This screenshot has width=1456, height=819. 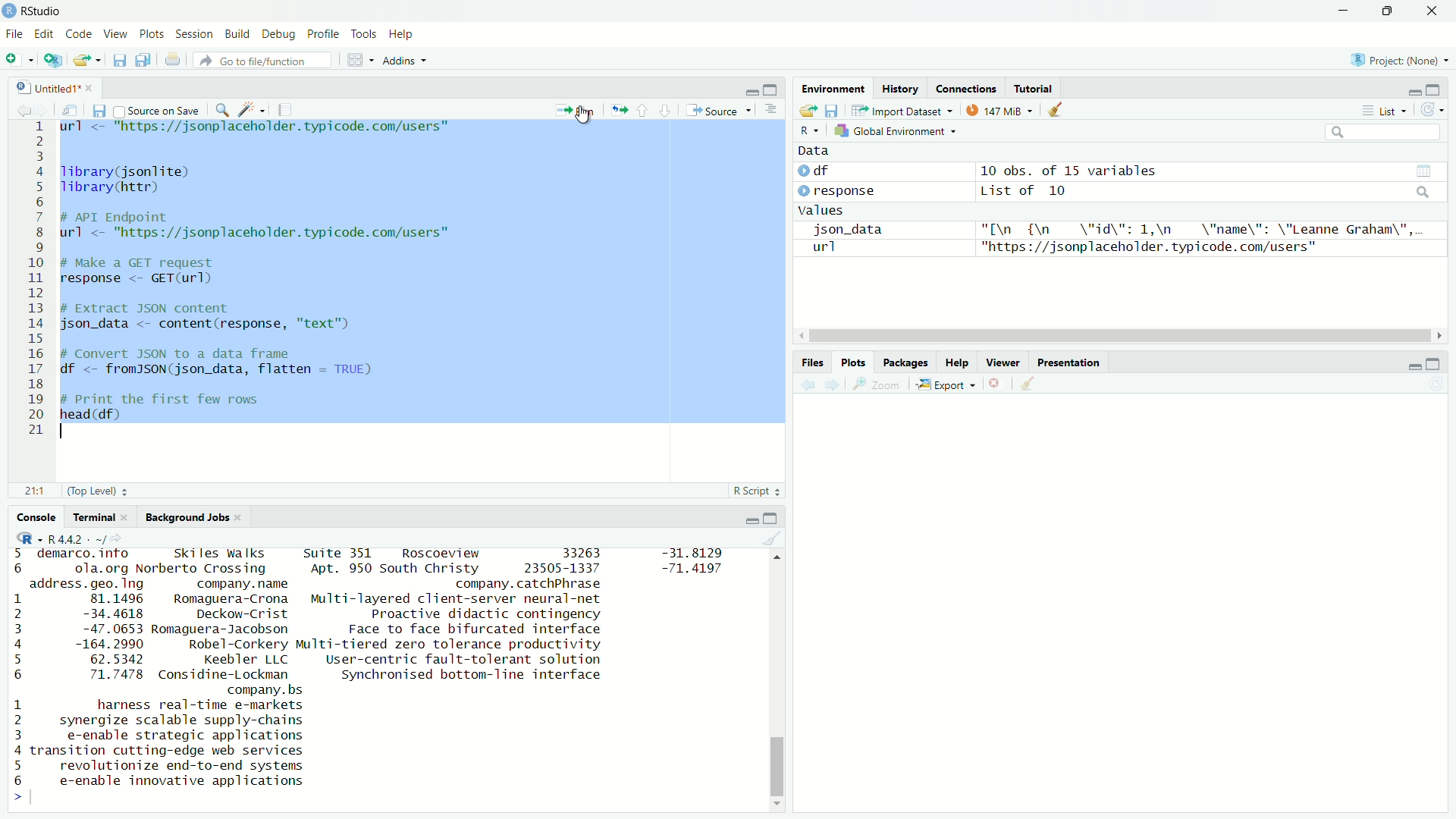 I want to click on (Top Level) , so click(x=98, y=491).